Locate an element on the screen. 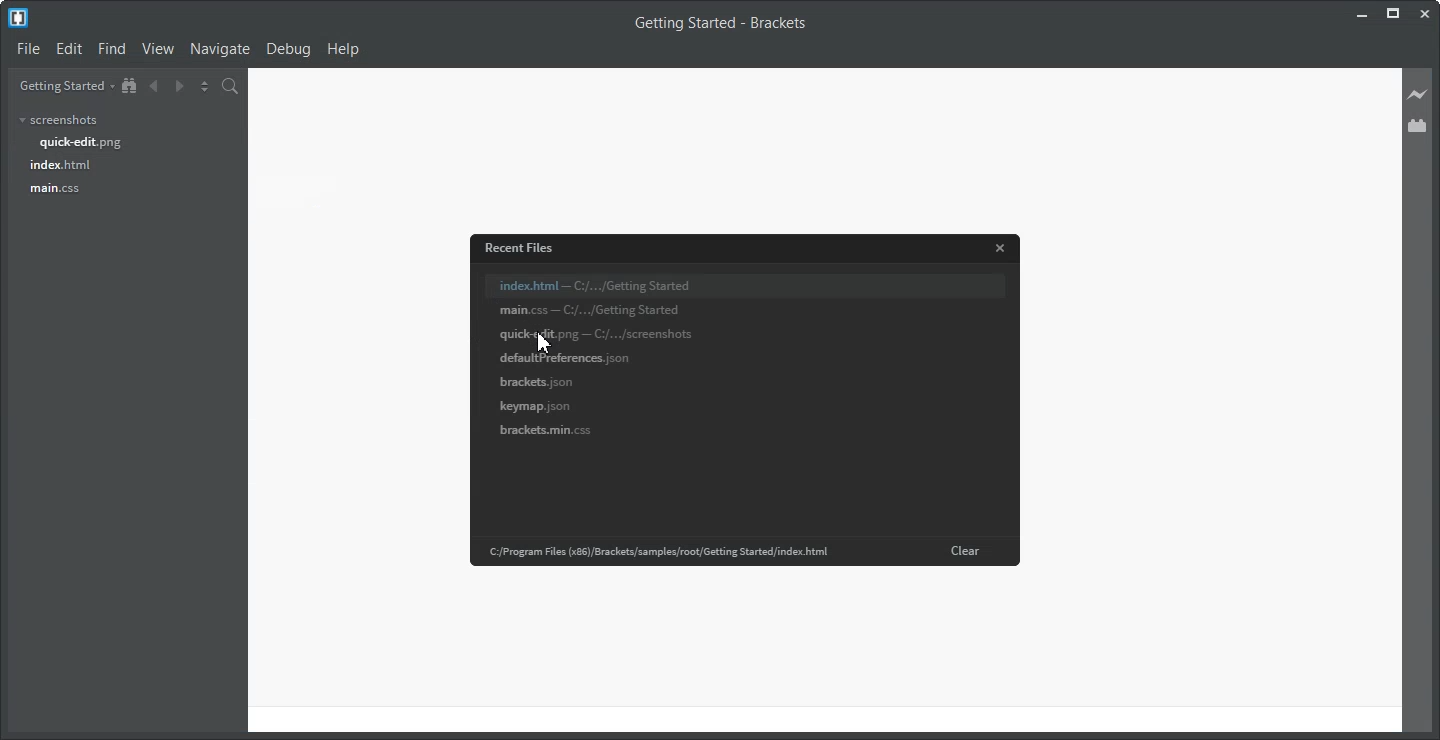 This screenshot has width=1440, height=740. screenshots is located at coordinates (62, 121).